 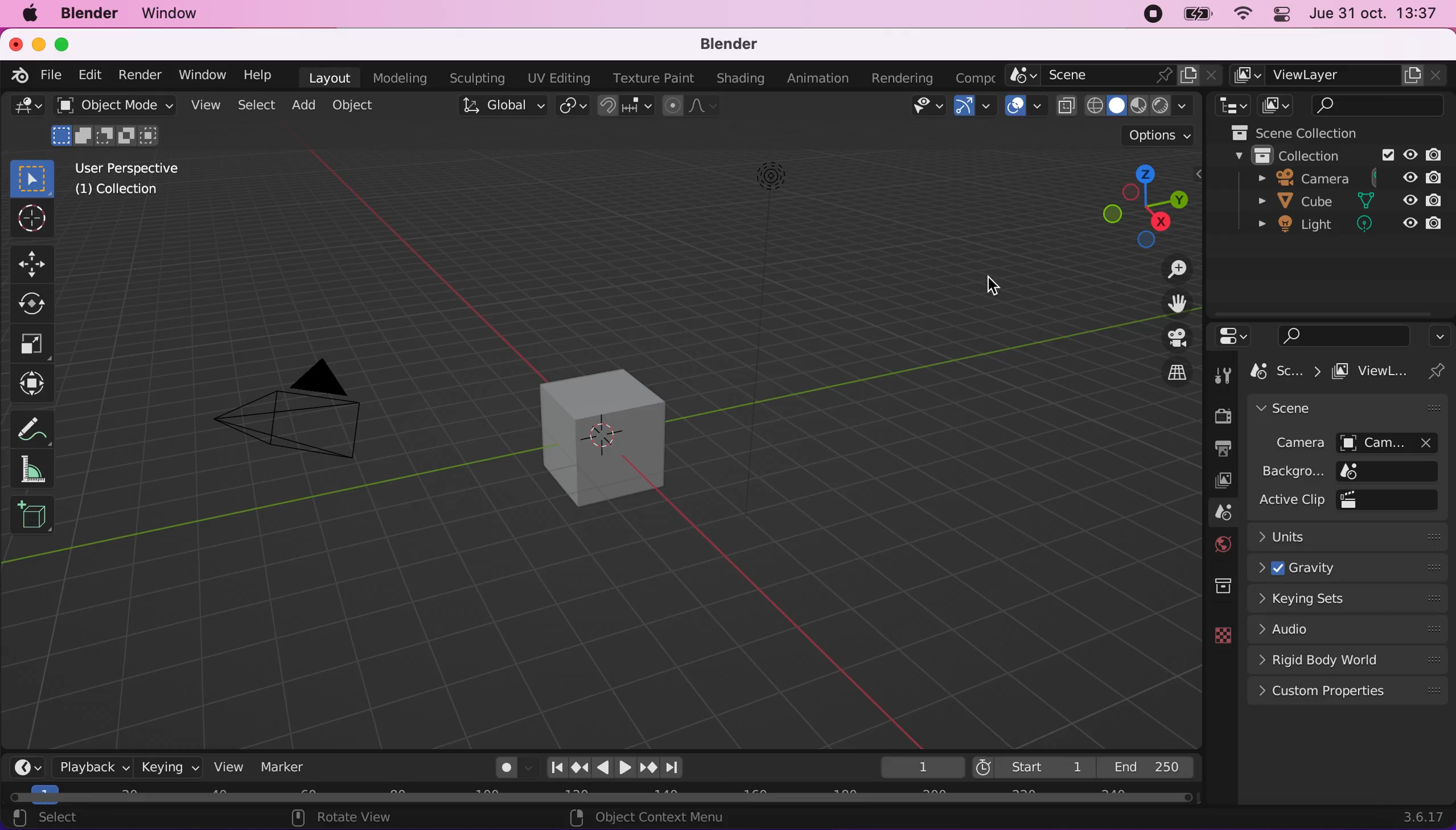 I want to click on scene collection, so click(x=1335, y=132).